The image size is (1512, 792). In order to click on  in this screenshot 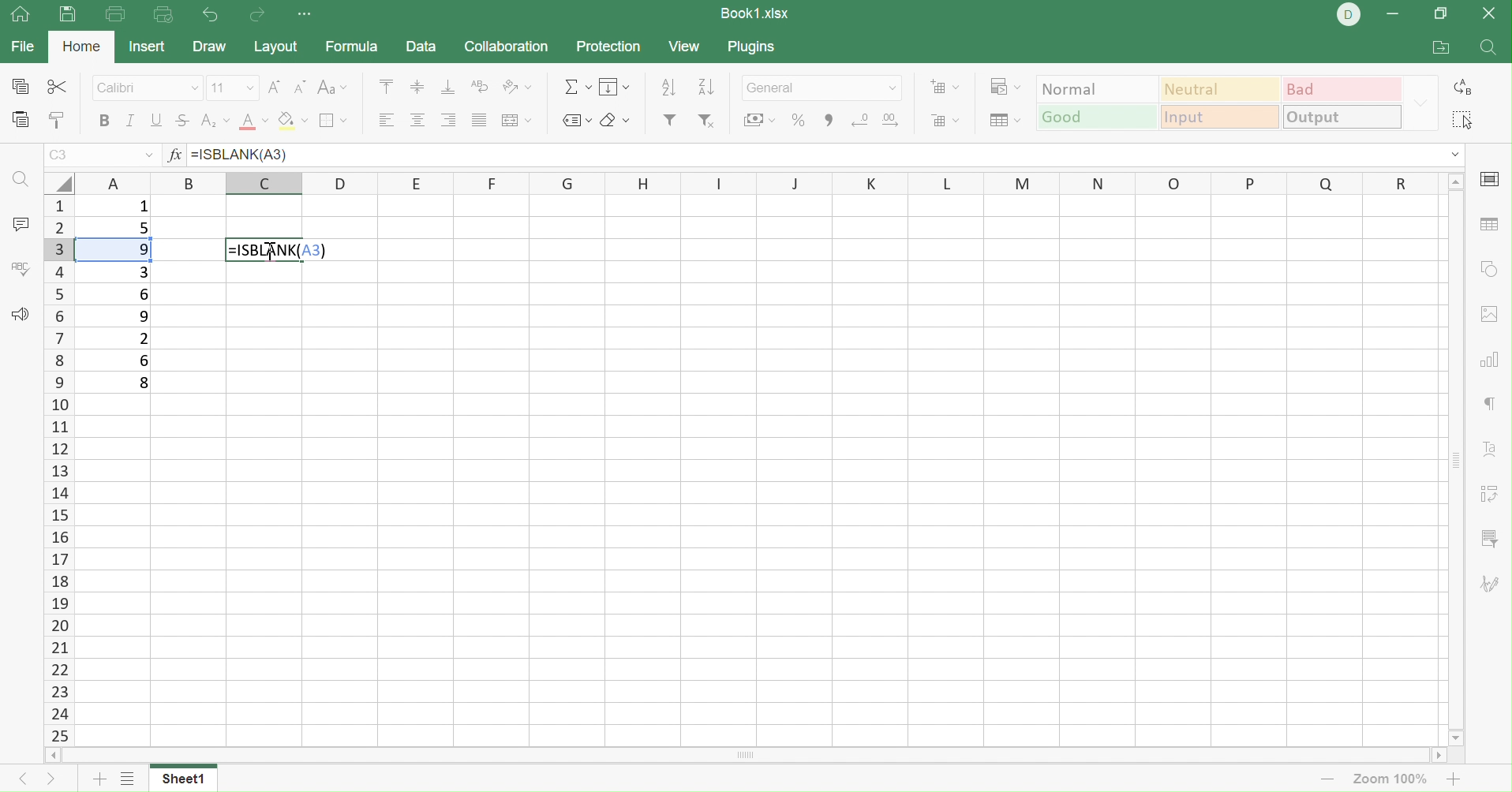, I will do `click(215, 121)`.